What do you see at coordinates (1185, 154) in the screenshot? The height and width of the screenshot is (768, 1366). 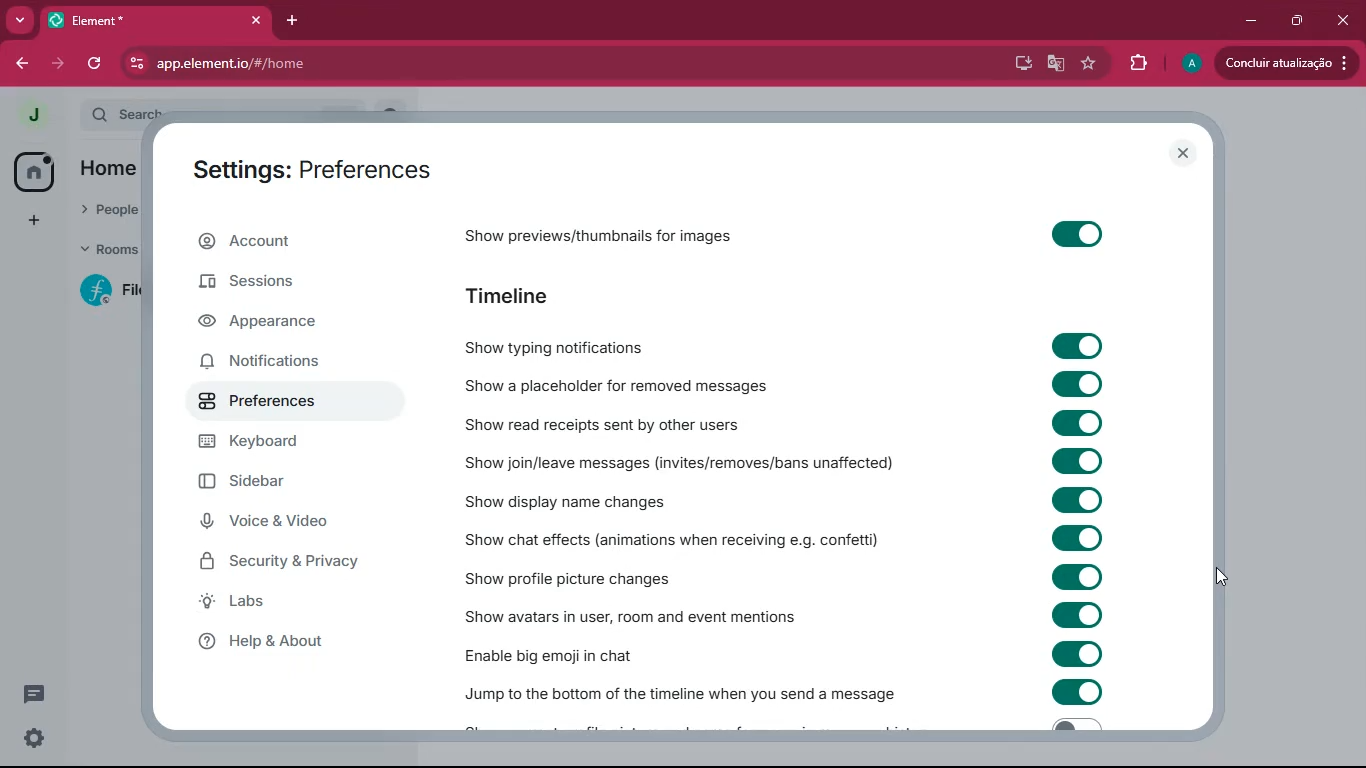 I see `close` at bounding box center [1185, 154].